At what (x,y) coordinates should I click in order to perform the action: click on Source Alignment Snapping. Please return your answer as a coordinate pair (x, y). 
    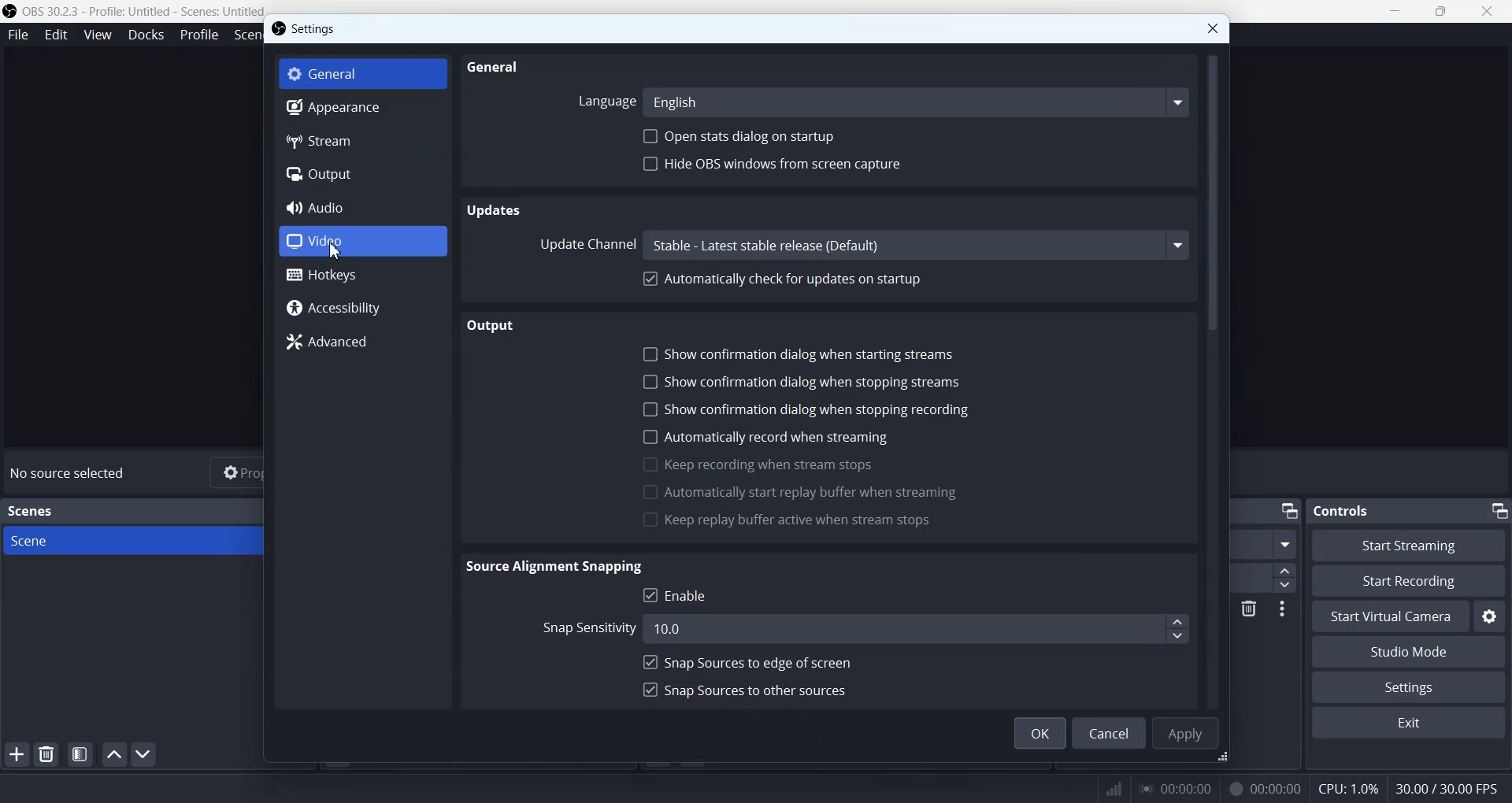
    Looking at the image, I should click on (558, 567).